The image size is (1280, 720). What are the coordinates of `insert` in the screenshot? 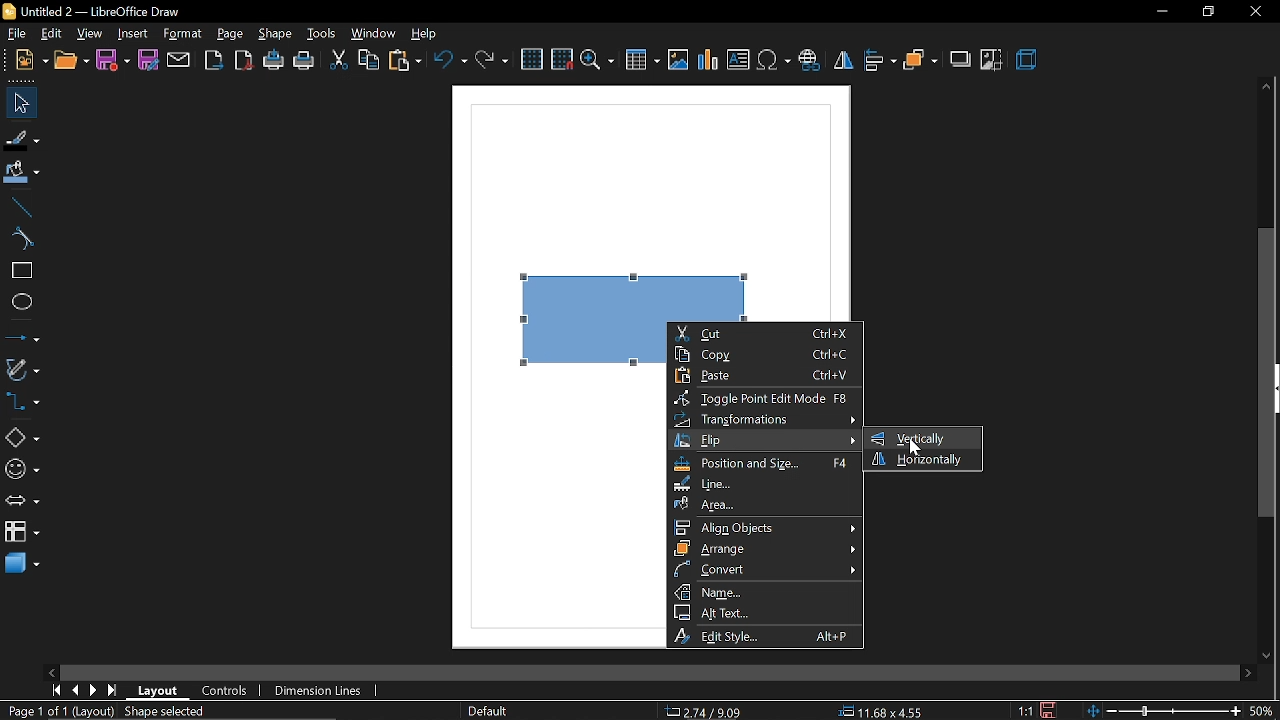 It's located at (132, 34).